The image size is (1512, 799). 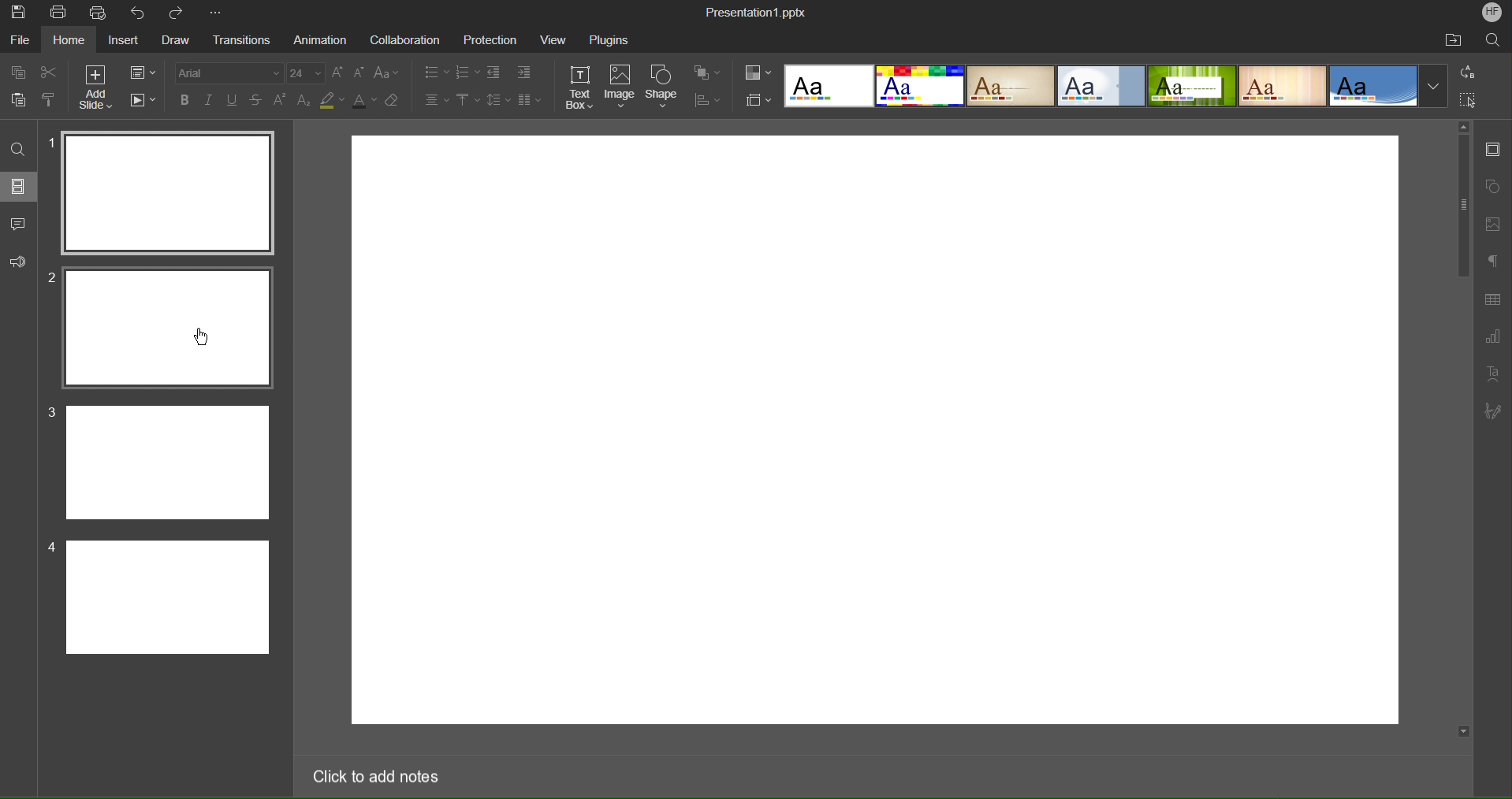 What do you see at coordinates (706, 72) in the screenshot?
I see `Arrange` at bounding box center [706, 72].